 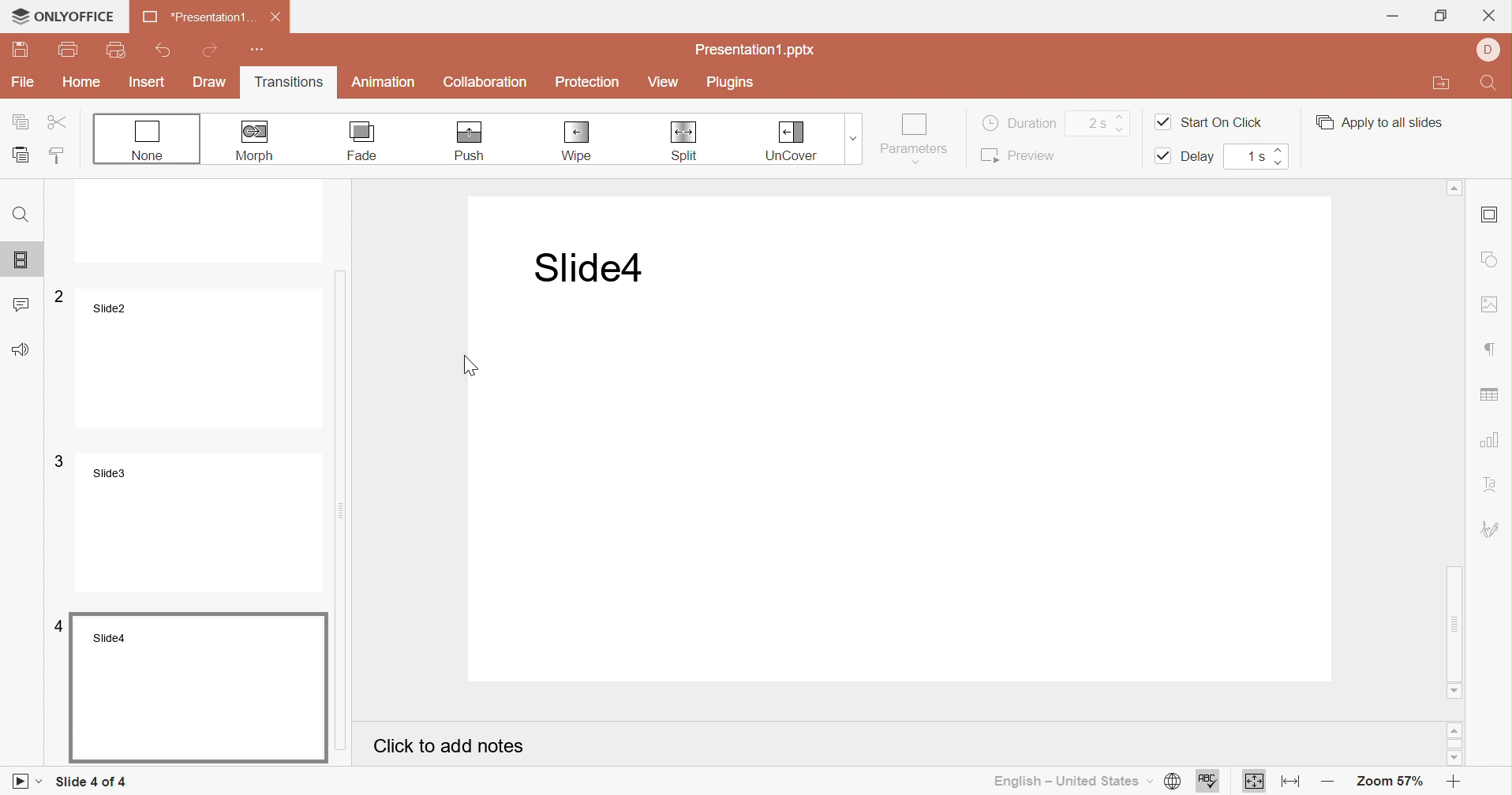 I want to click on Paragraph settings, so click(x=1492, y=349).